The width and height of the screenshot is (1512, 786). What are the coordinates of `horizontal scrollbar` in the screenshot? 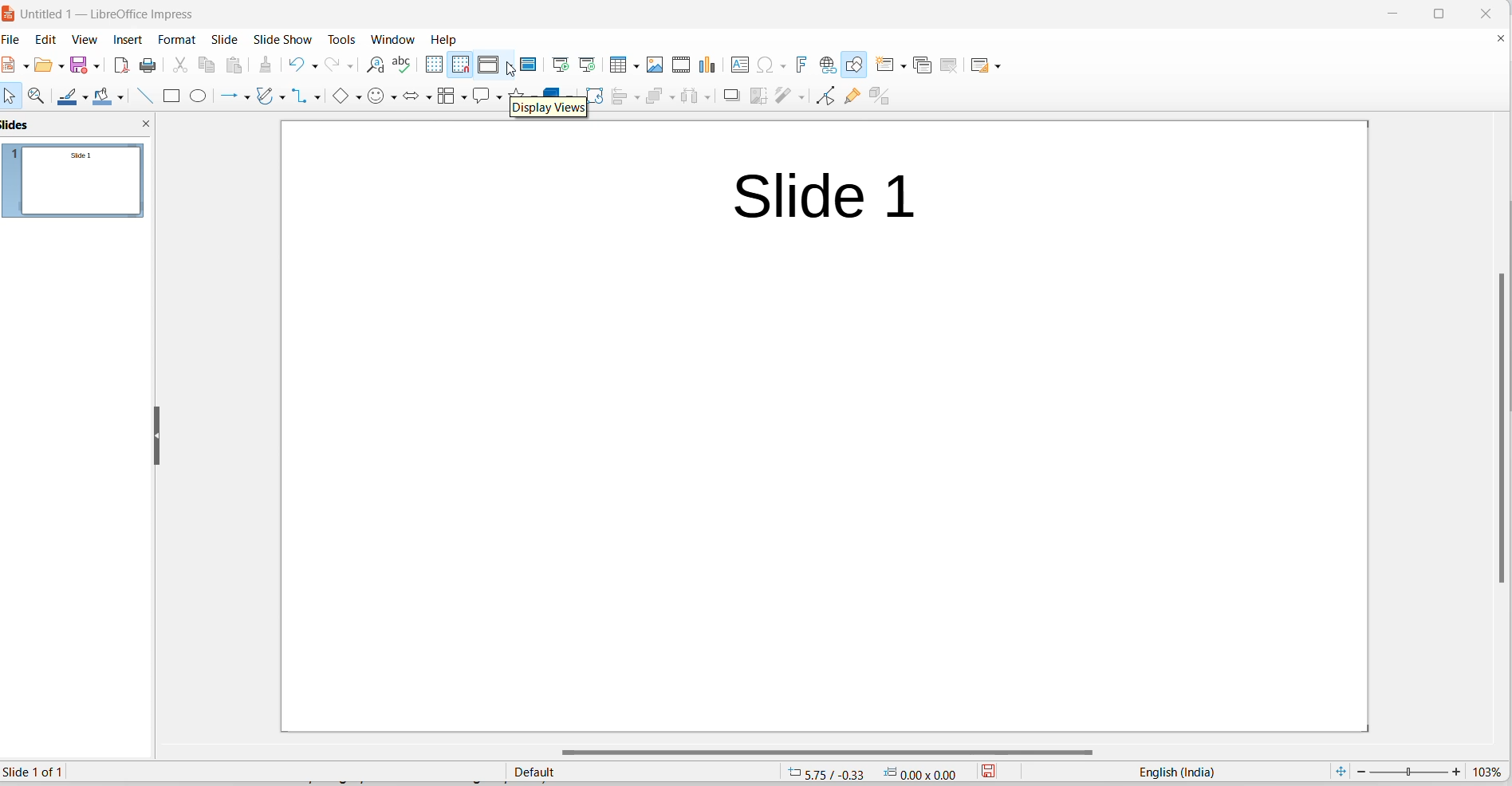 It's located at (838, 755).